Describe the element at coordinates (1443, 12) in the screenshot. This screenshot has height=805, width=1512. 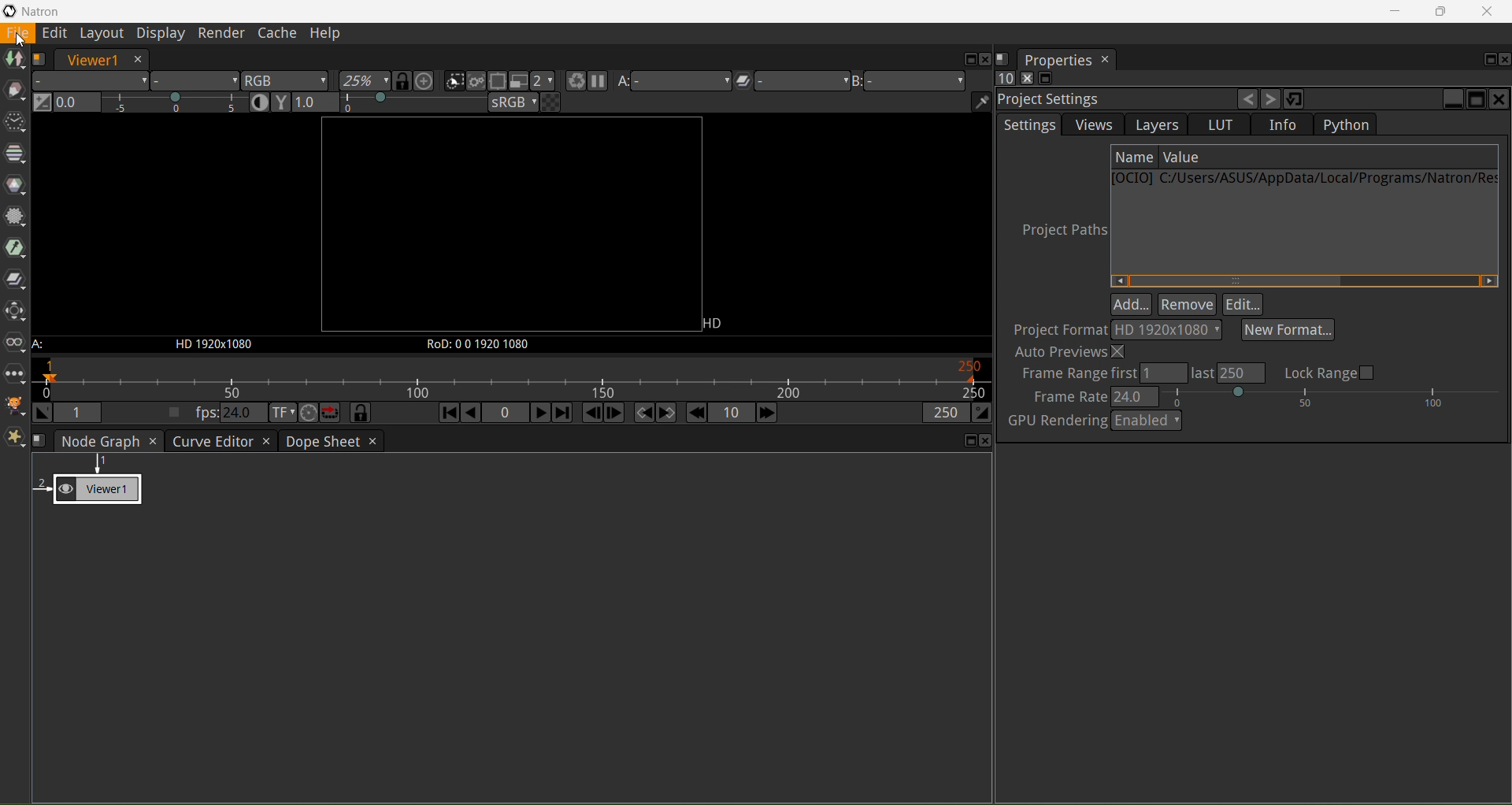
I see `Restore Down` at that location.